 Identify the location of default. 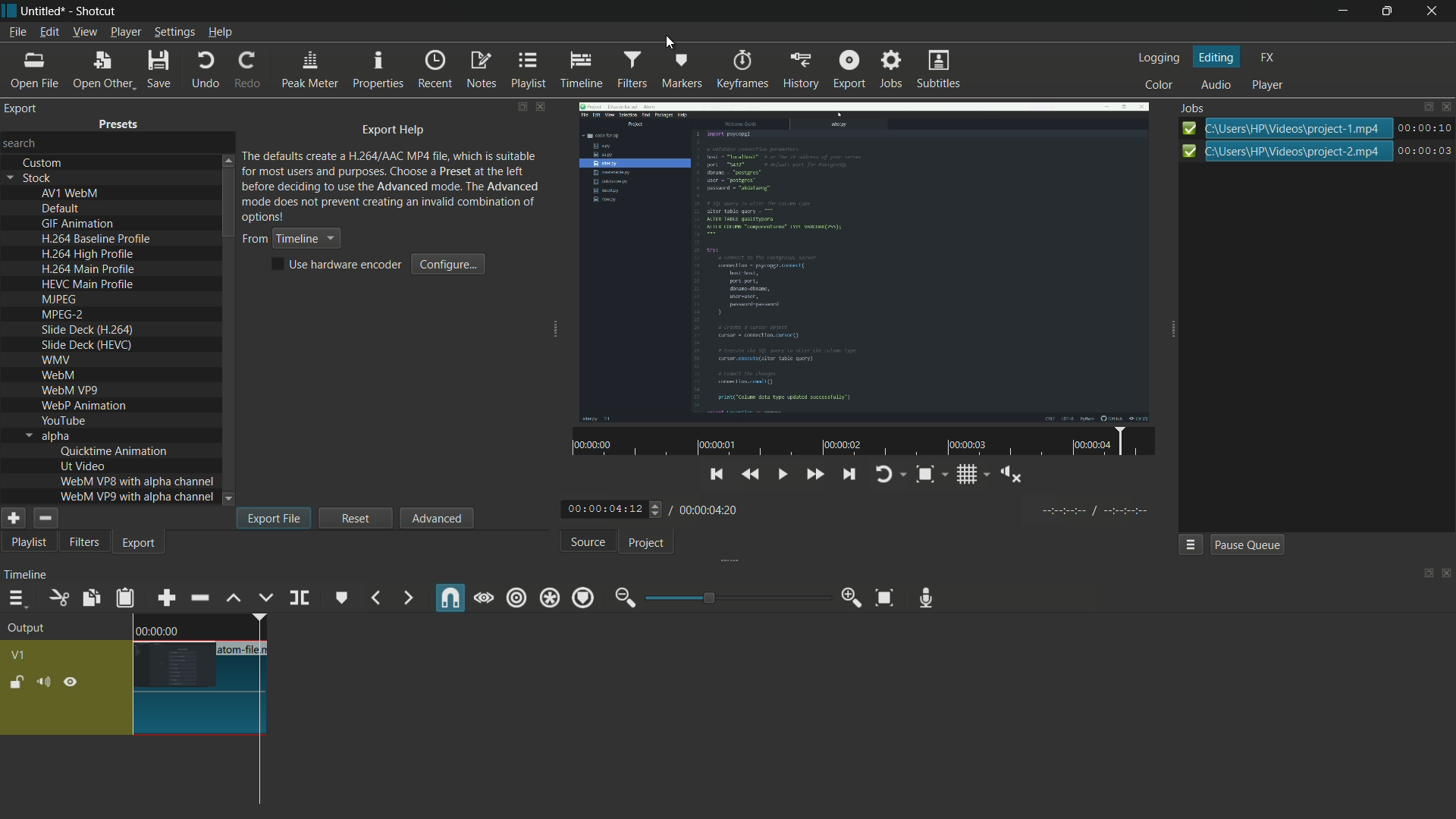
(61, 209).